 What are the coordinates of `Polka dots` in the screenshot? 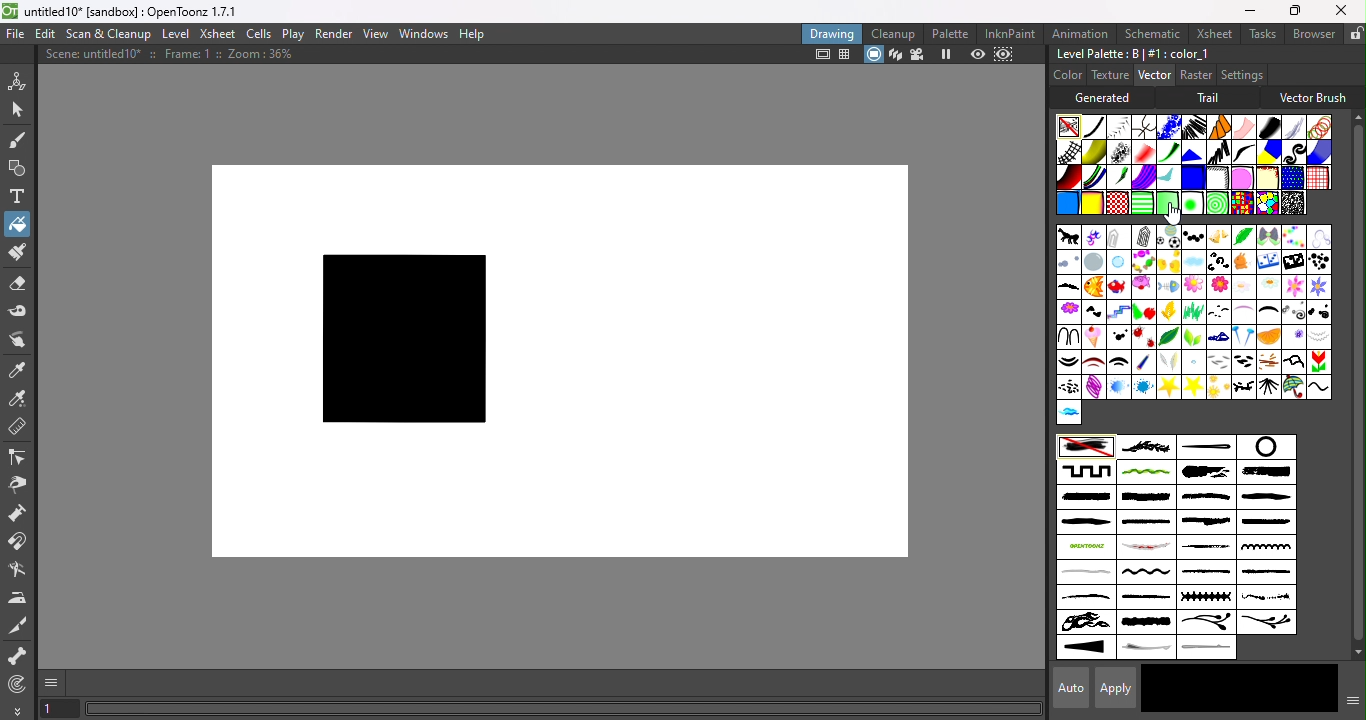 It's located at (1291, 178).